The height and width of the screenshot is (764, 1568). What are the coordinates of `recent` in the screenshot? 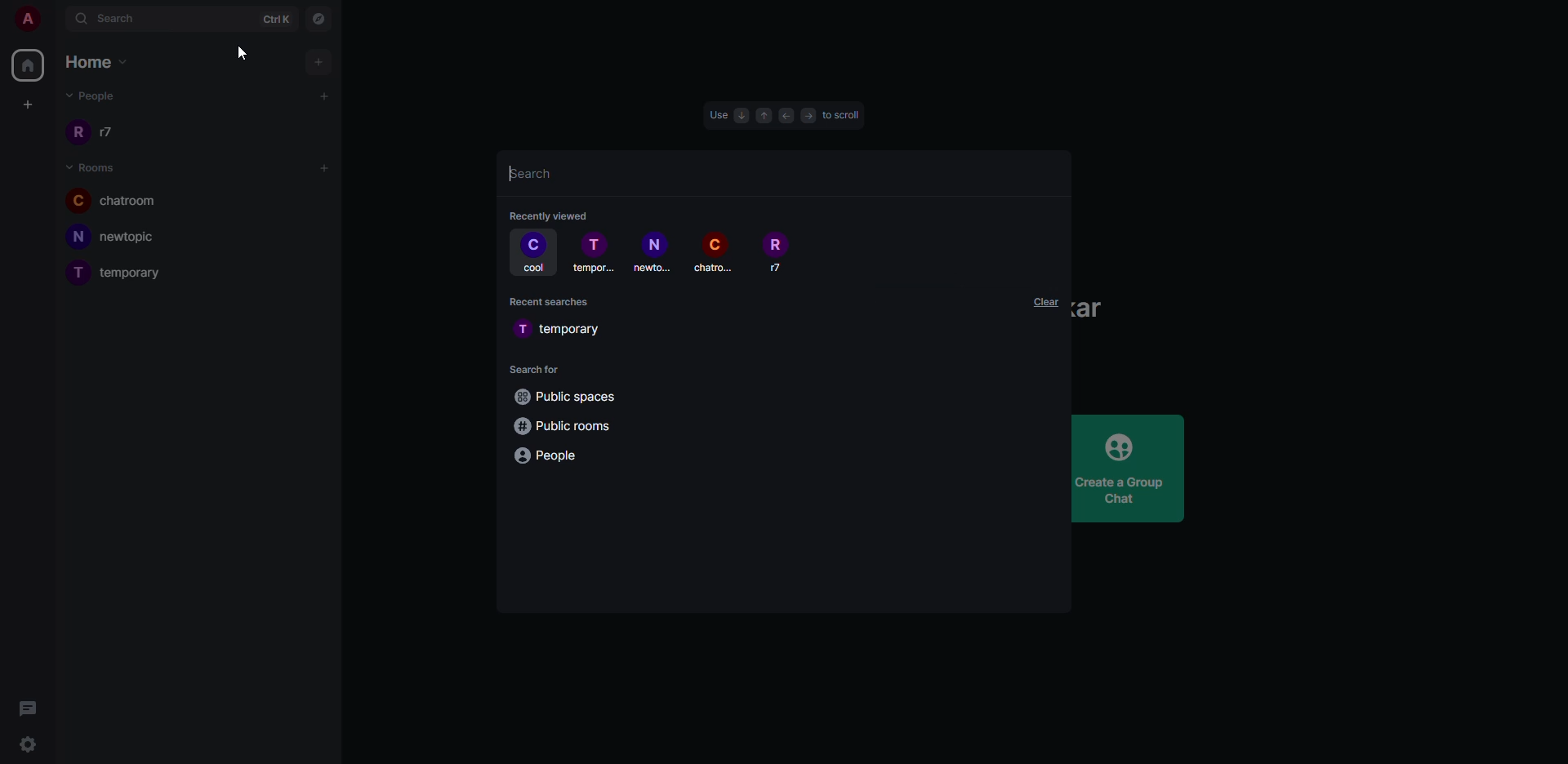 It's located at (555, 303).